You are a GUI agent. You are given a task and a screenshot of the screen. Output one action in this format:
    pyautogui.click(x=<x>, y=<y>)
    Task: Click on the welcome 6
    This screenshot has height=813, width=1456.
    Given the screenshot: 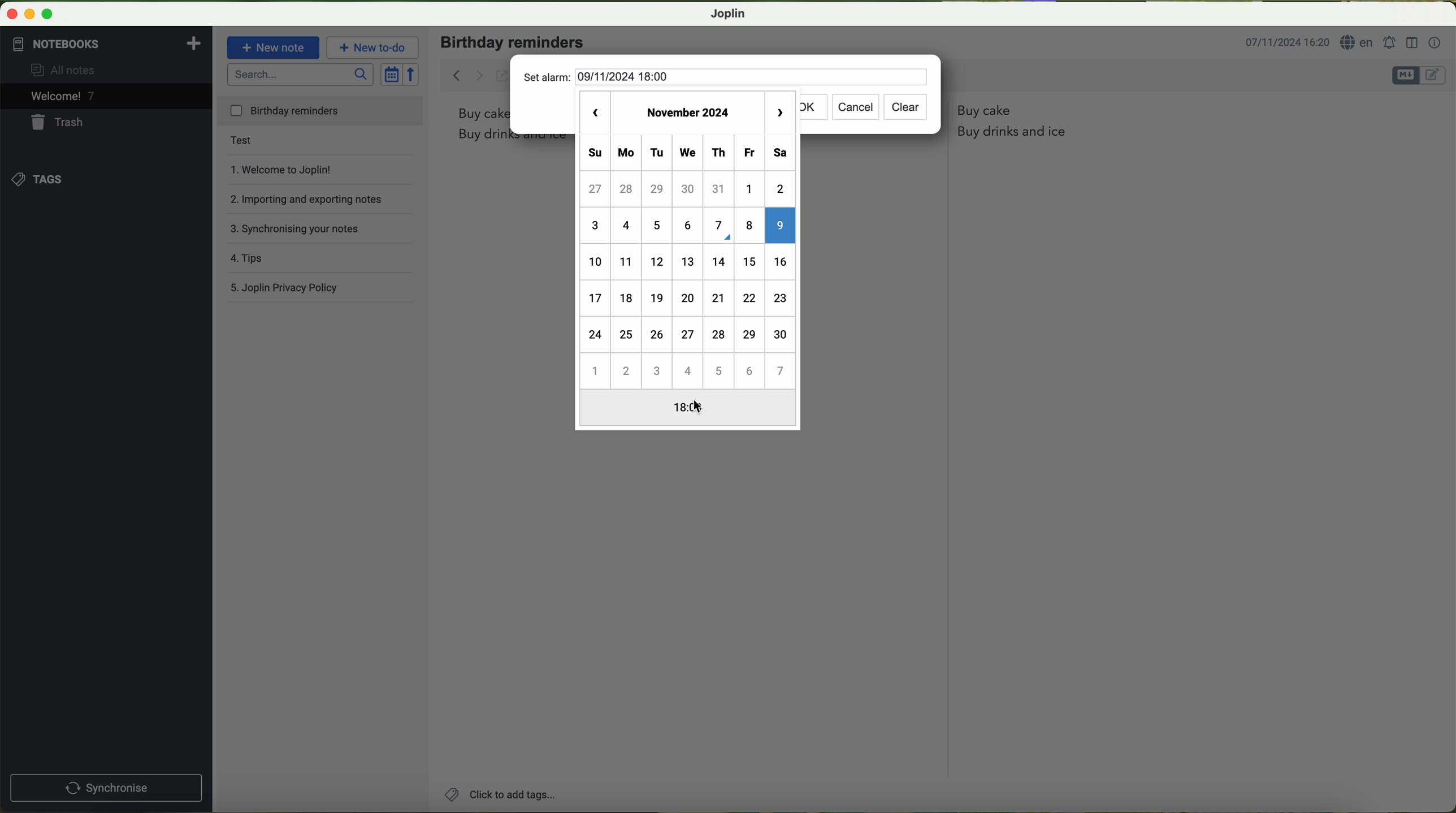 What is the action you would take?
    pyautogui.click(x=64, y=97)
    